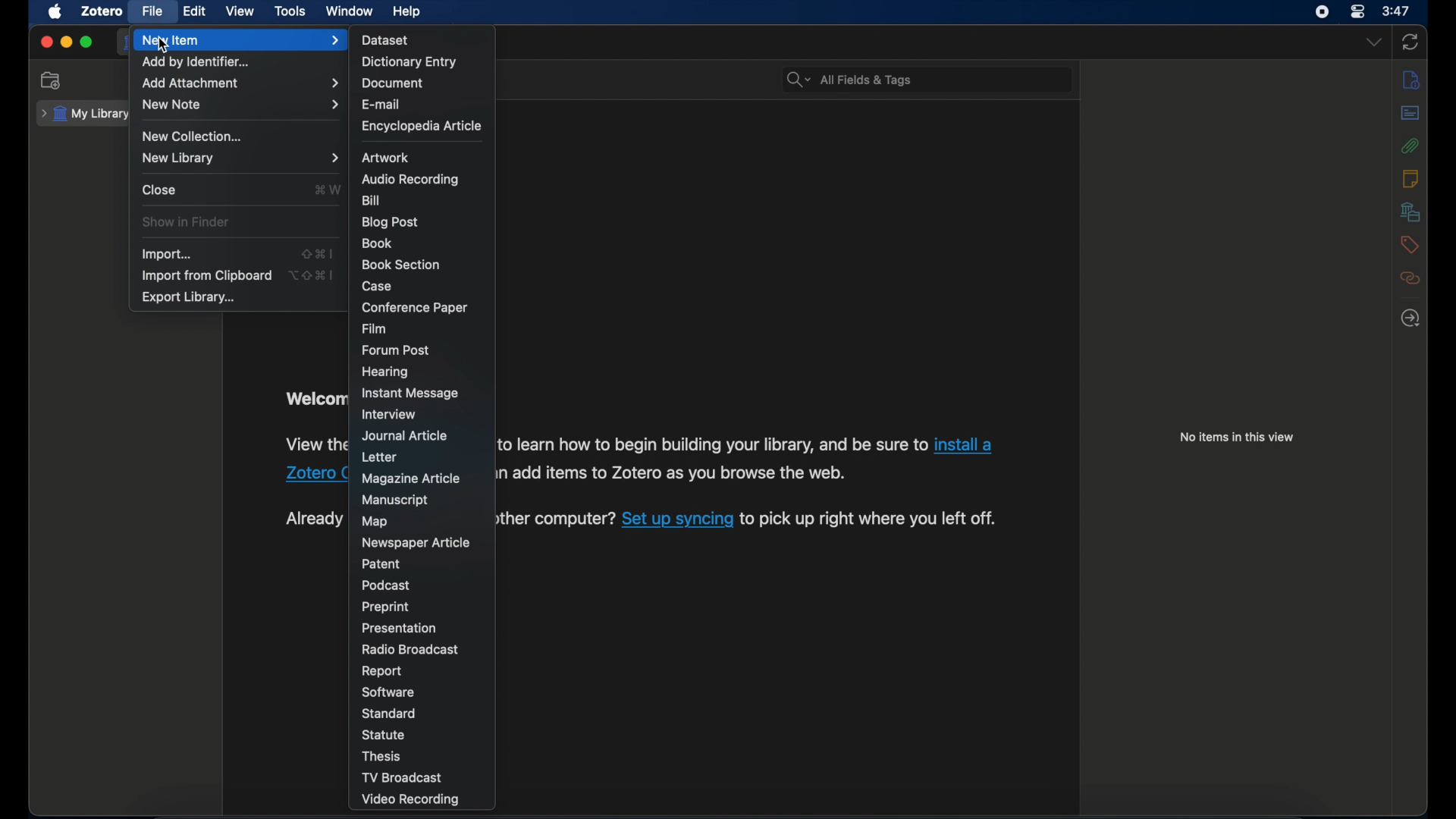 This screenshot has width=1456, height=819. I want to click on import from clipboard, so click(206, 276).